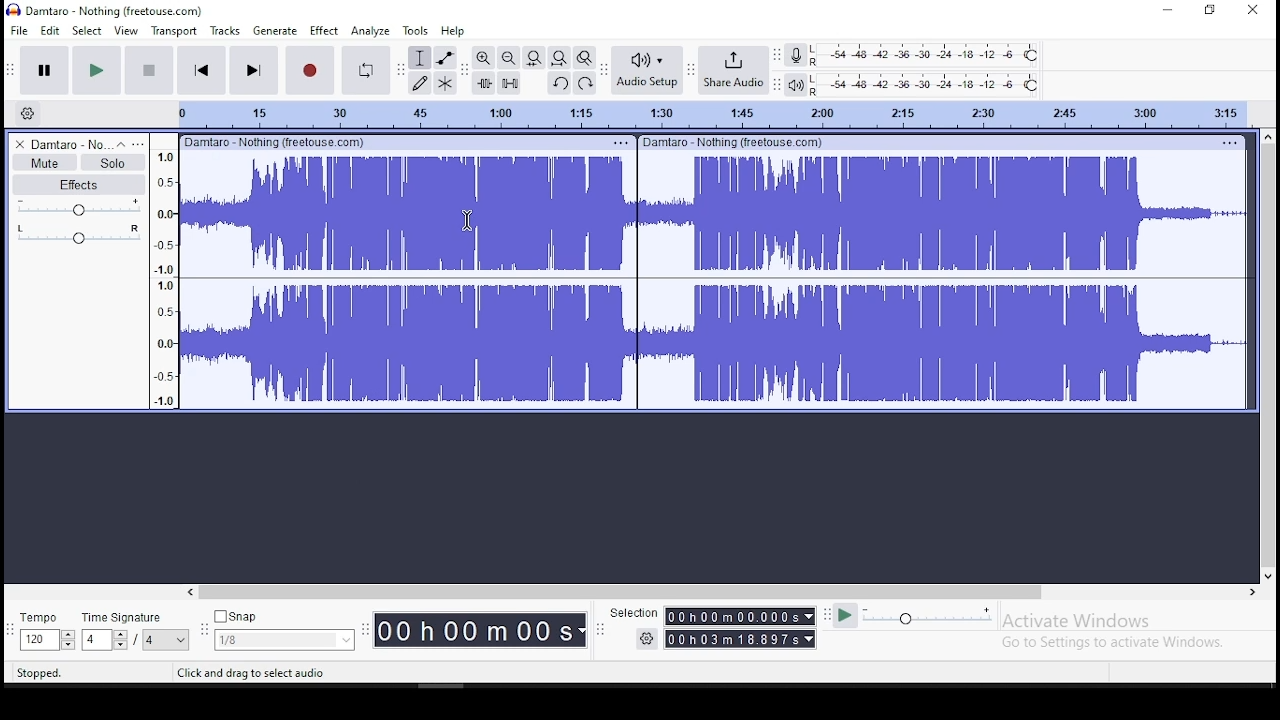 This screenshot has width=1280, height=720. What do you see at coordinates (701, 114) in the screenshot?
I see `timeline` at bounding box center [701, 114].